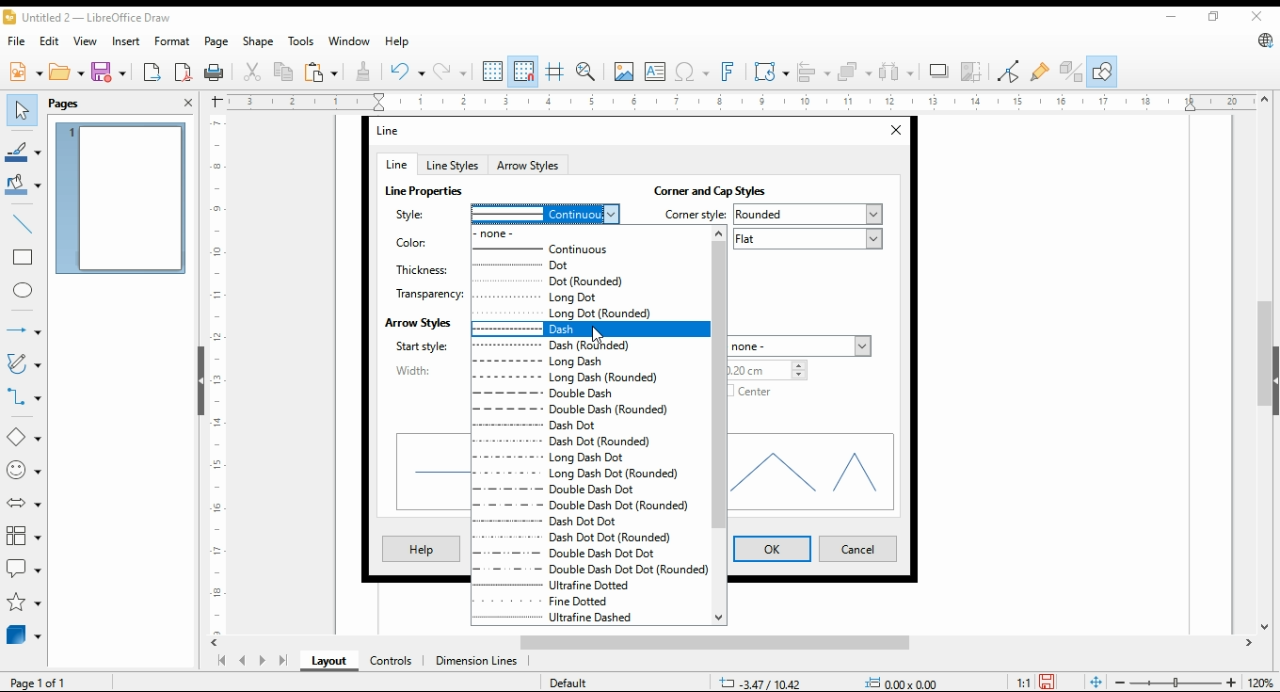 Image resolution: width=1280 pixels, height=692 pixels. Describe the element at coordinates (589, 234) in the screenshot. I see `none` at that location.